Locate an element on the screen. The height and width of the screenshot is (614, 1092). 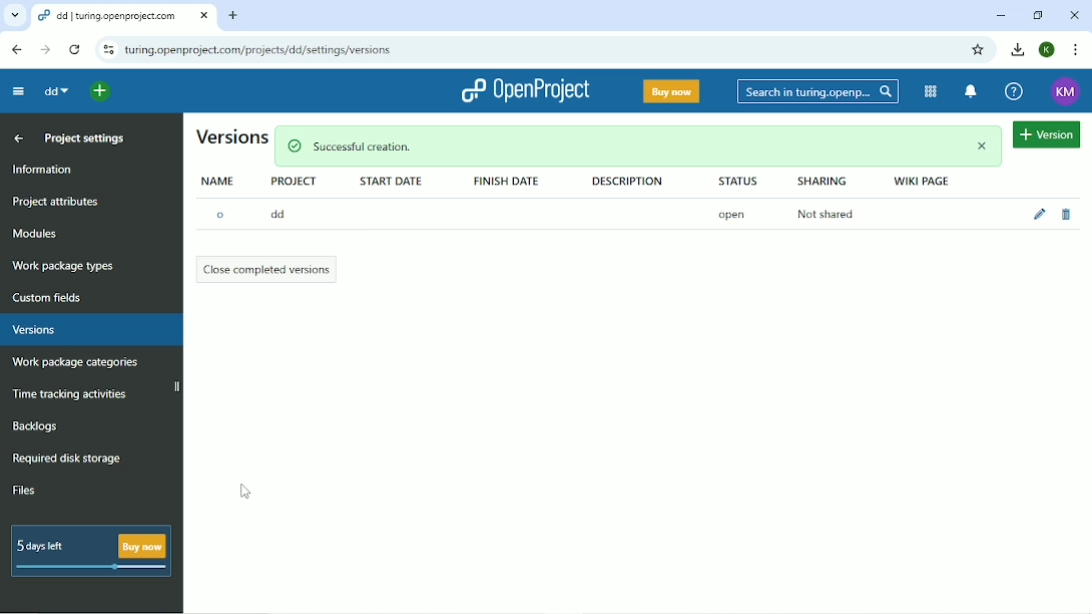
Current tab is located at coordinates (124, 16).